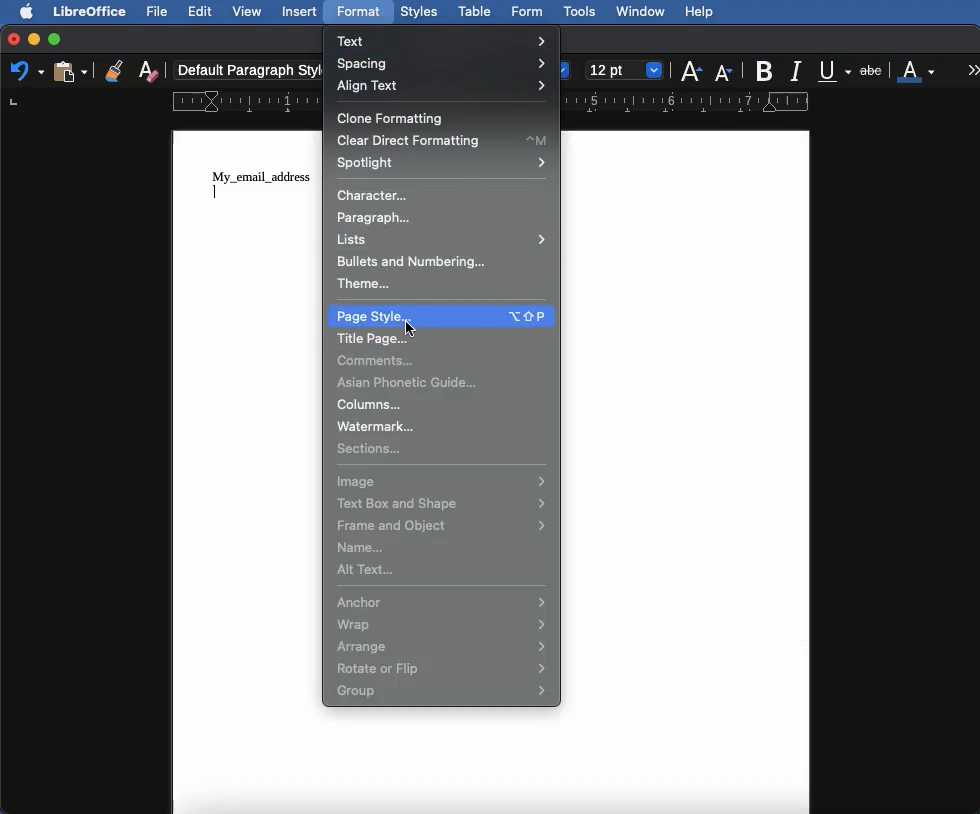 The height and width of the screenshot is (814, 980). Describe the element at coordinates (414, 329) in the screenshot. I see `` at that location.